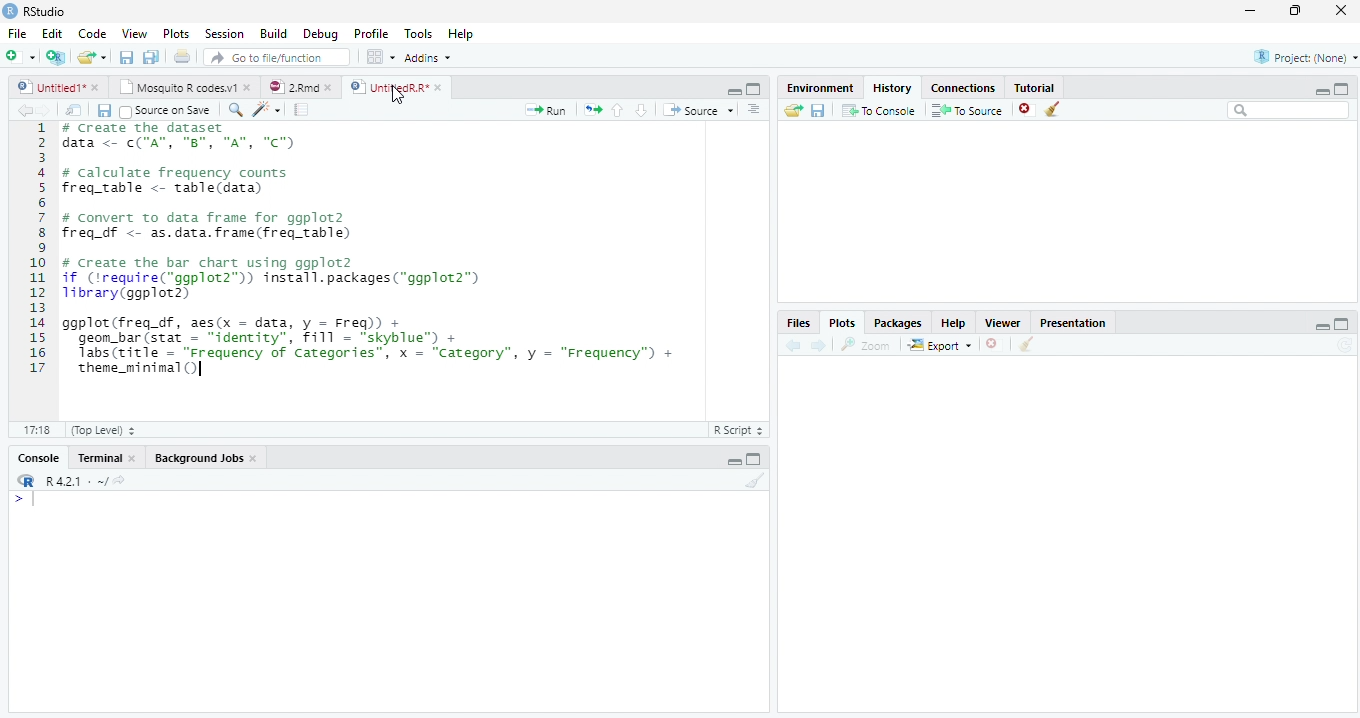  I want to click on Clear Console, so click(1052, 108).